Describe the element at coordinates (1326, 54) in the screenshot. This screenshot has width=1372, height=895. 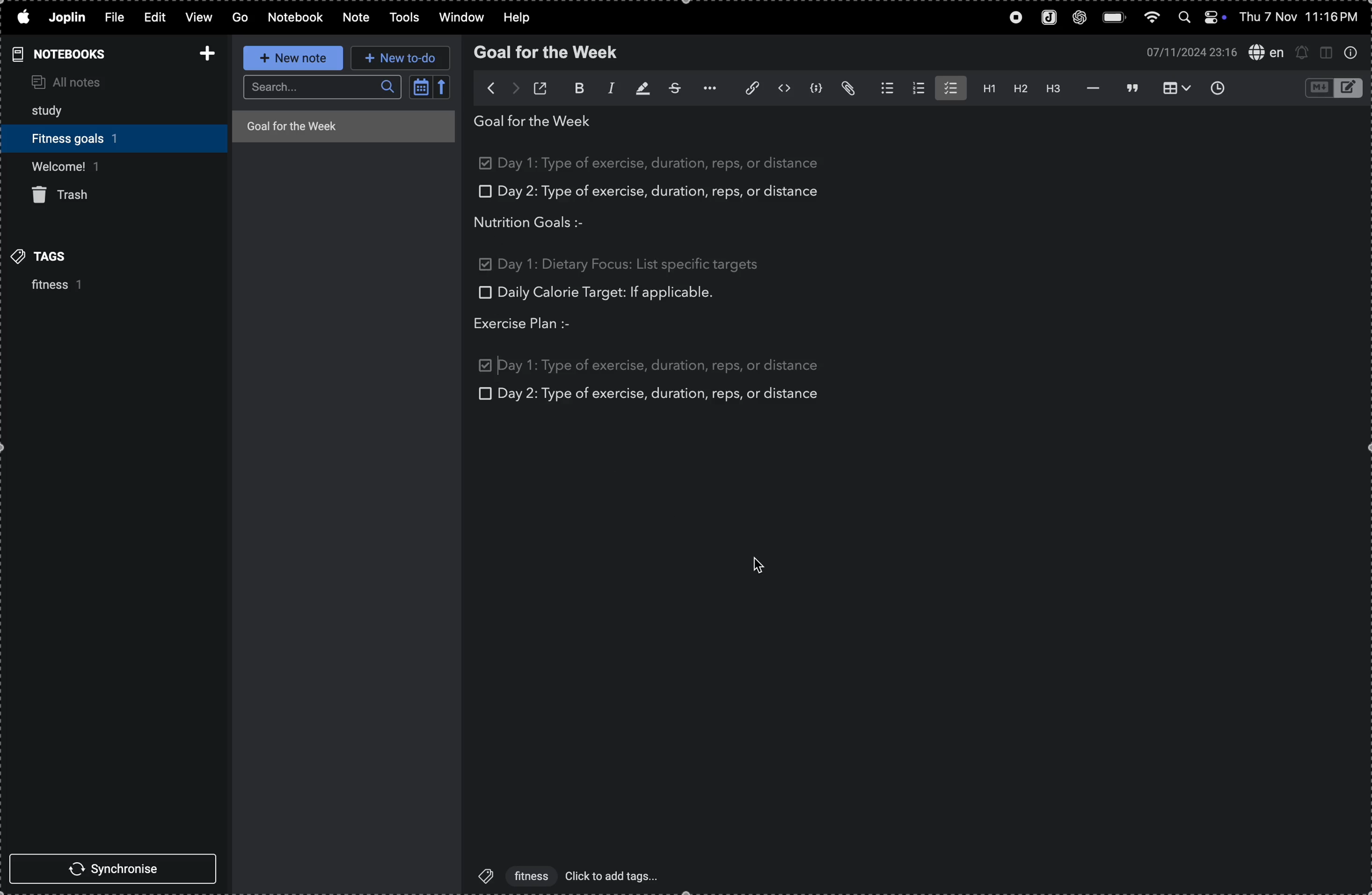
I see `toggle editor layout` at that location.